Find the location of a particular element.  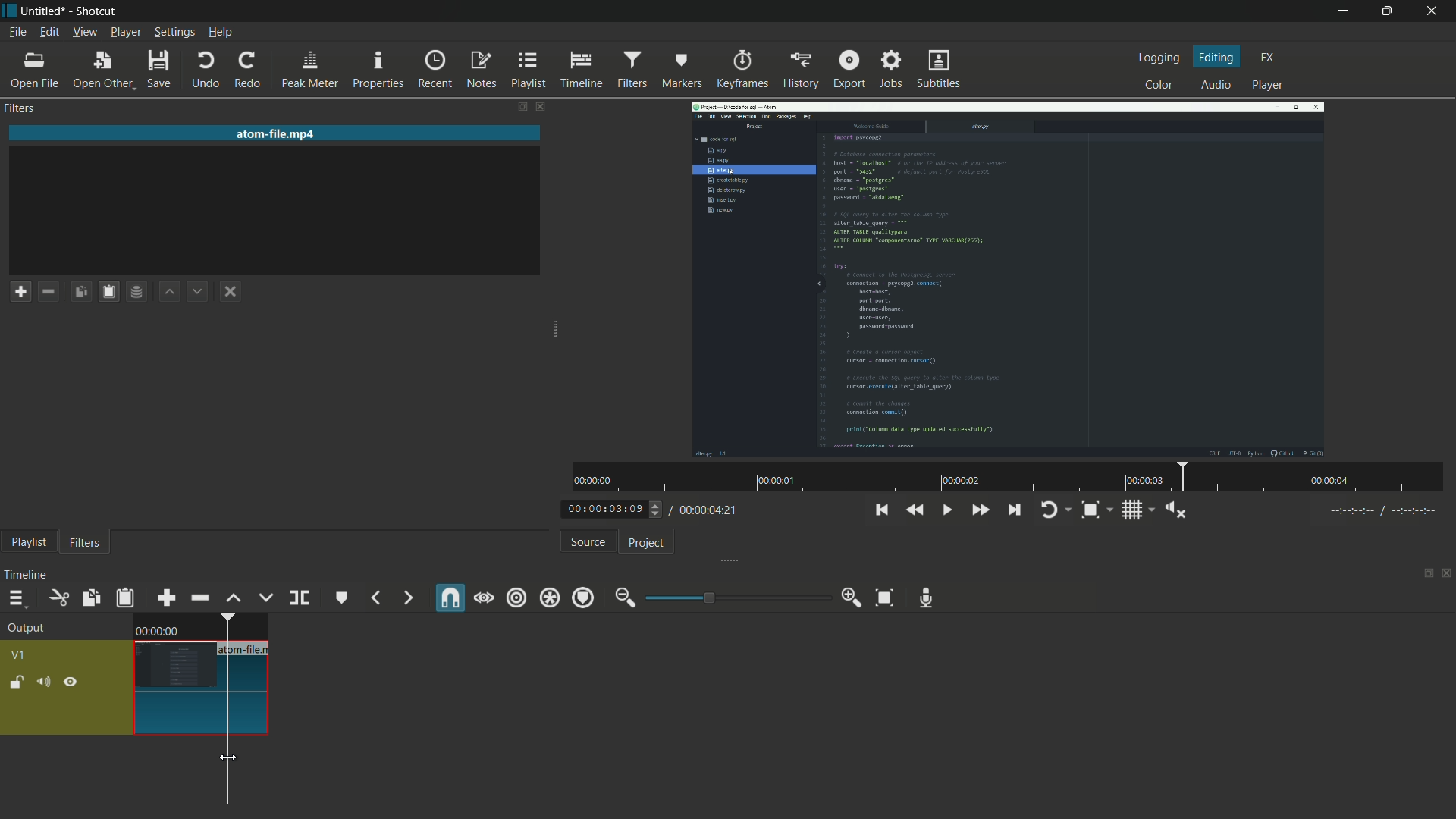

imported file name is located at coordinates (277, 133).